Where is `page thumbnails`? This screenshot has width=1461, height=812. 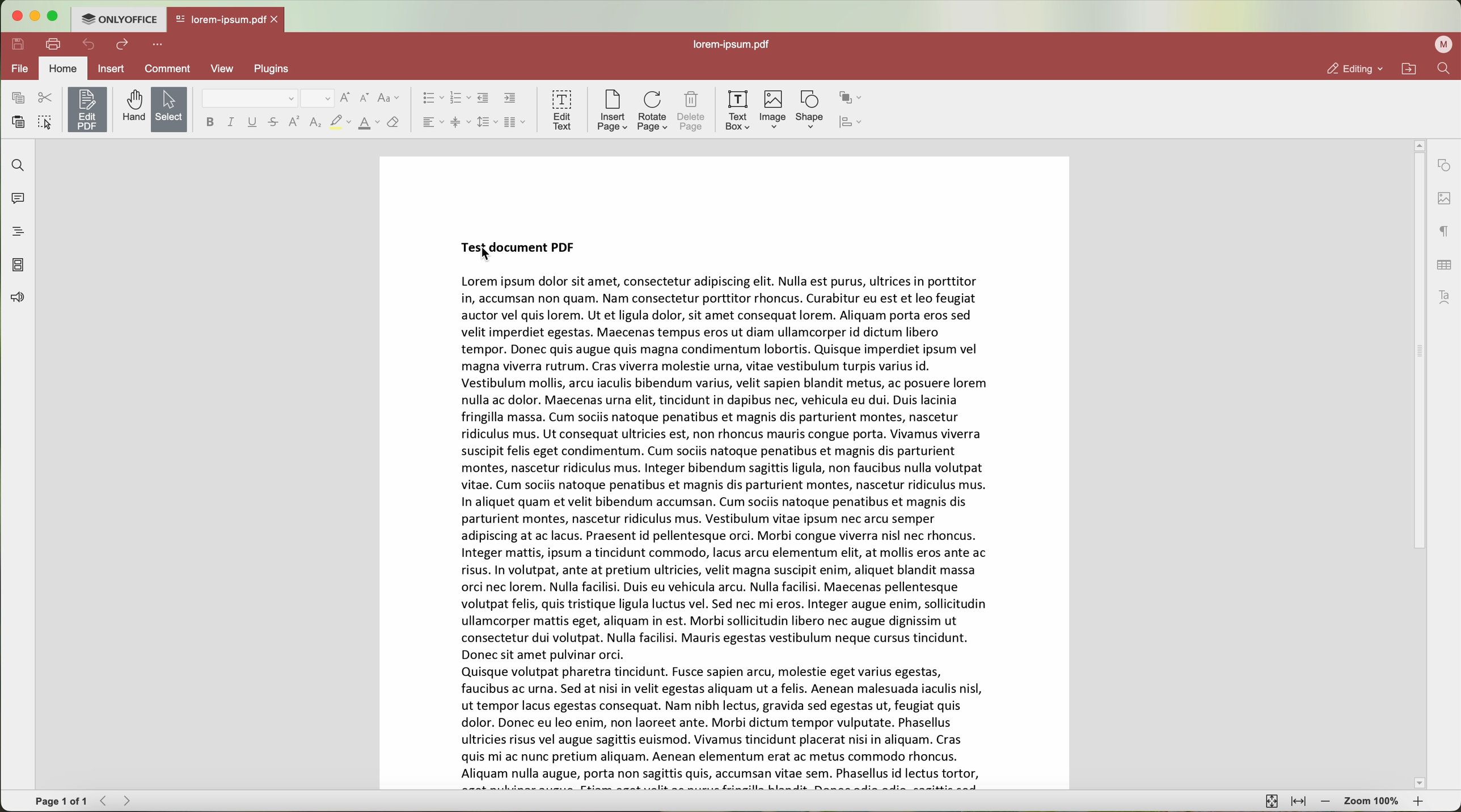
page thumbnails is located at coordinates (16, 266).